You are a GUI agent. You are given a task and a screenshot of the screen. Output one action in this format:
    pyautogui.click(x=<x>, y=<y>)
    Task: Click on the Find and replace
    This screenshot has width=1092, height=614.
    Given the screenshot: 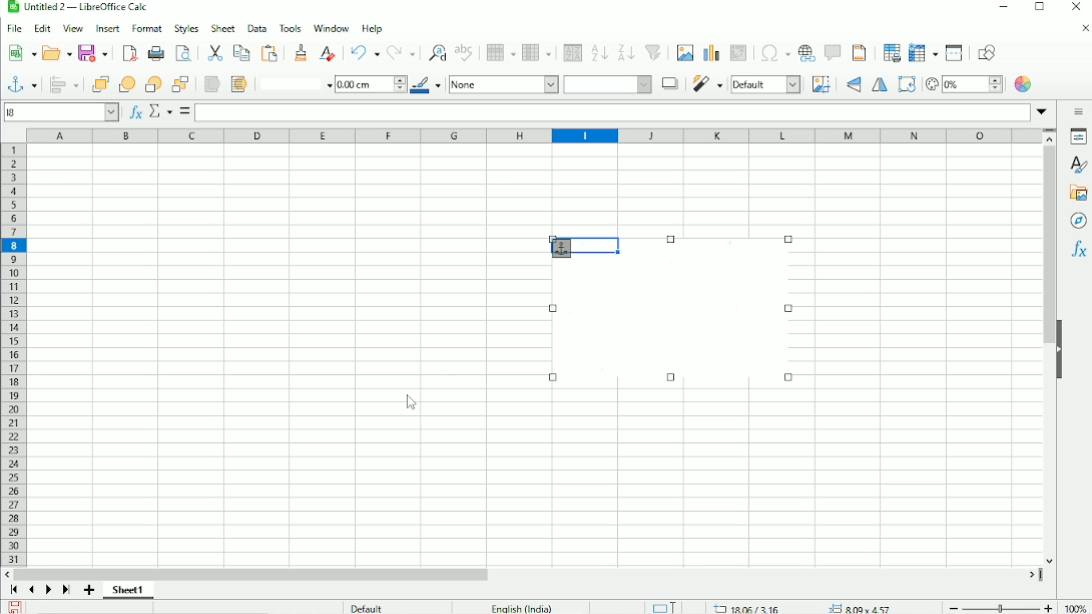 What is the action you would take?
    pyautogui.click(x=437, y=51)
    